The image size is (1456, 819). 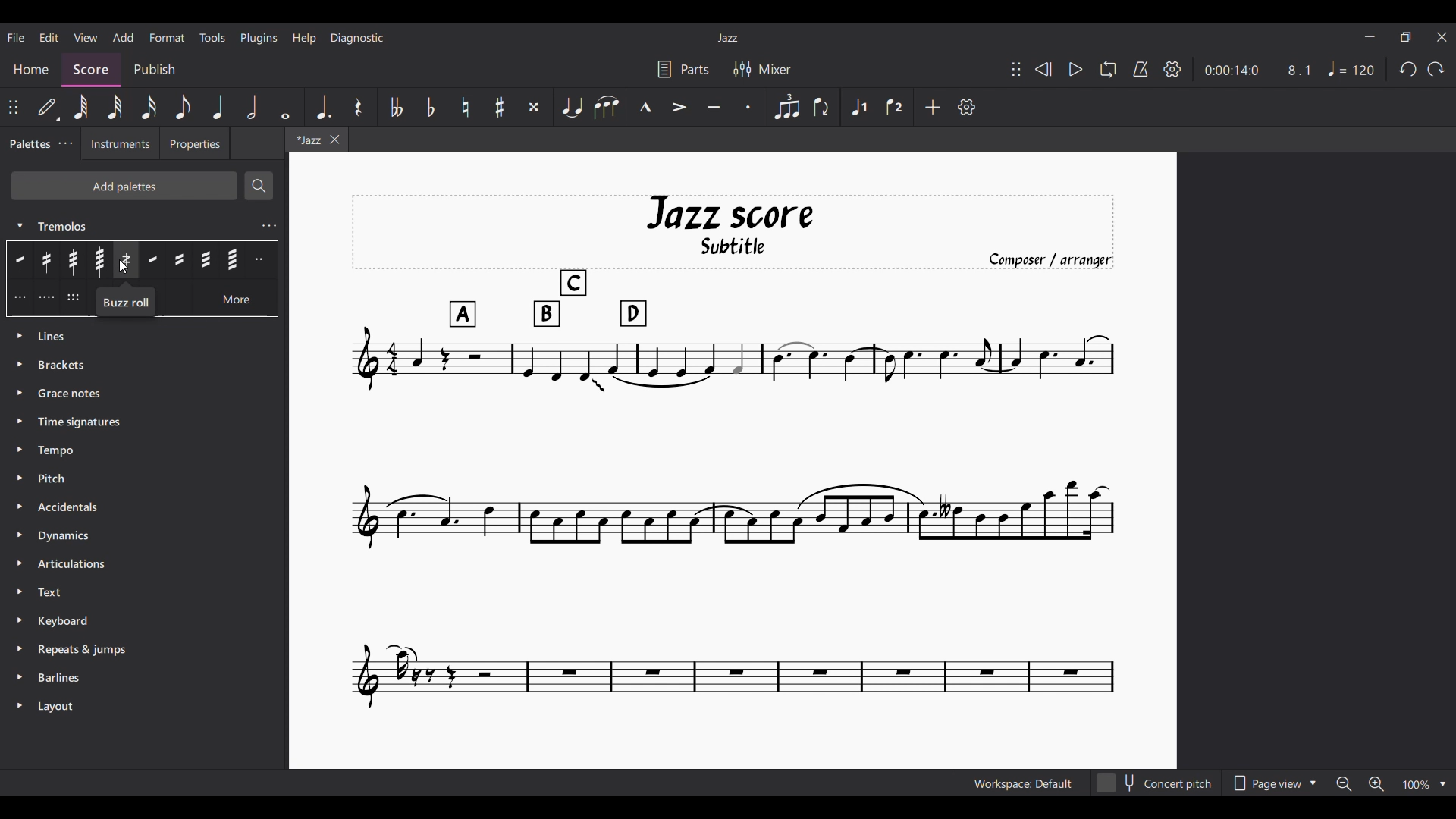 What do you see at coordinates (167, 37) in the screenshot?
I see `Format` at bounding box center [167, 37].